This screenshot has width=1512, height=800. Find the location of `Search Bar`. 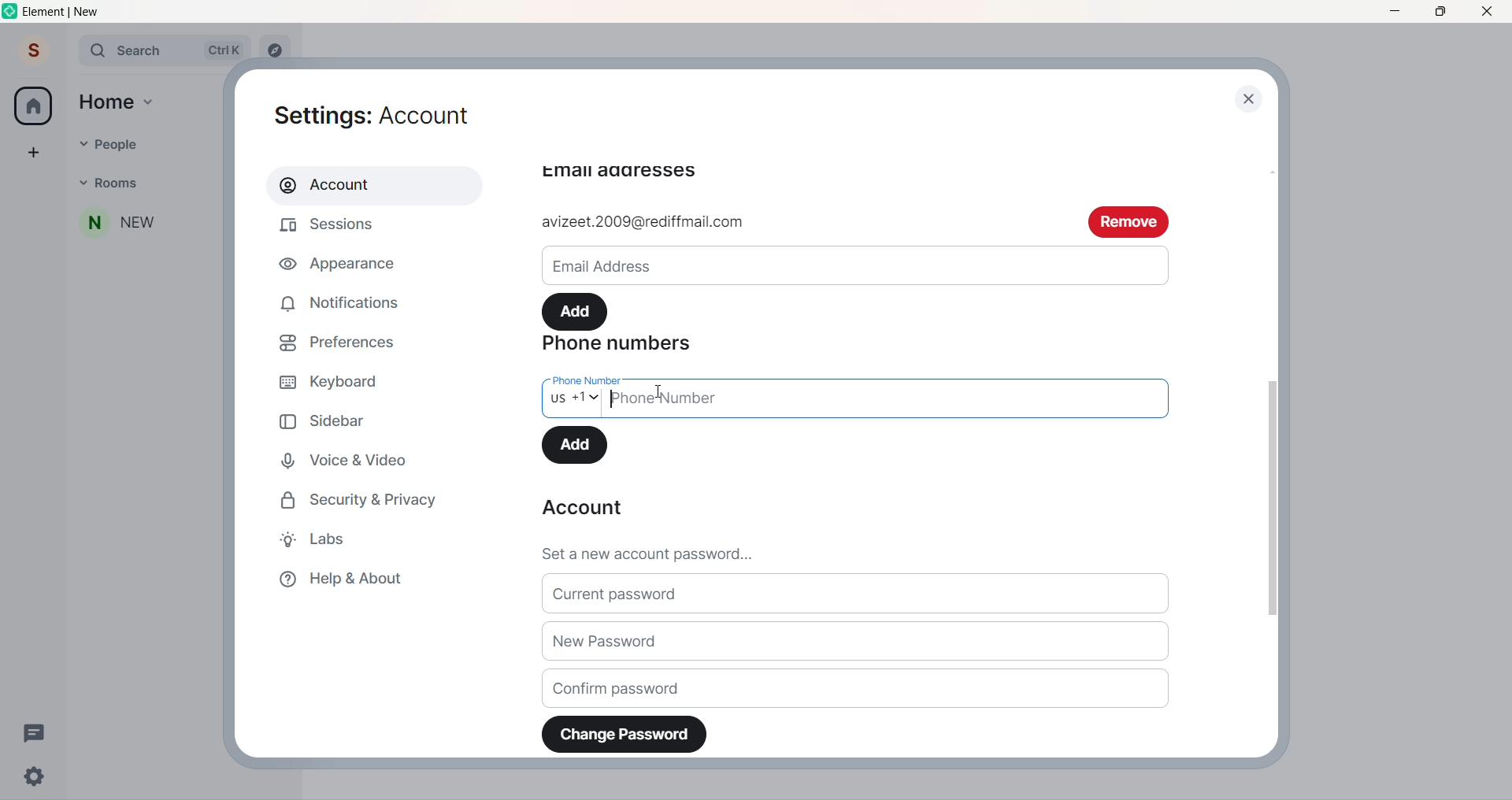

Search Bar is located at coordinates (164, 50).